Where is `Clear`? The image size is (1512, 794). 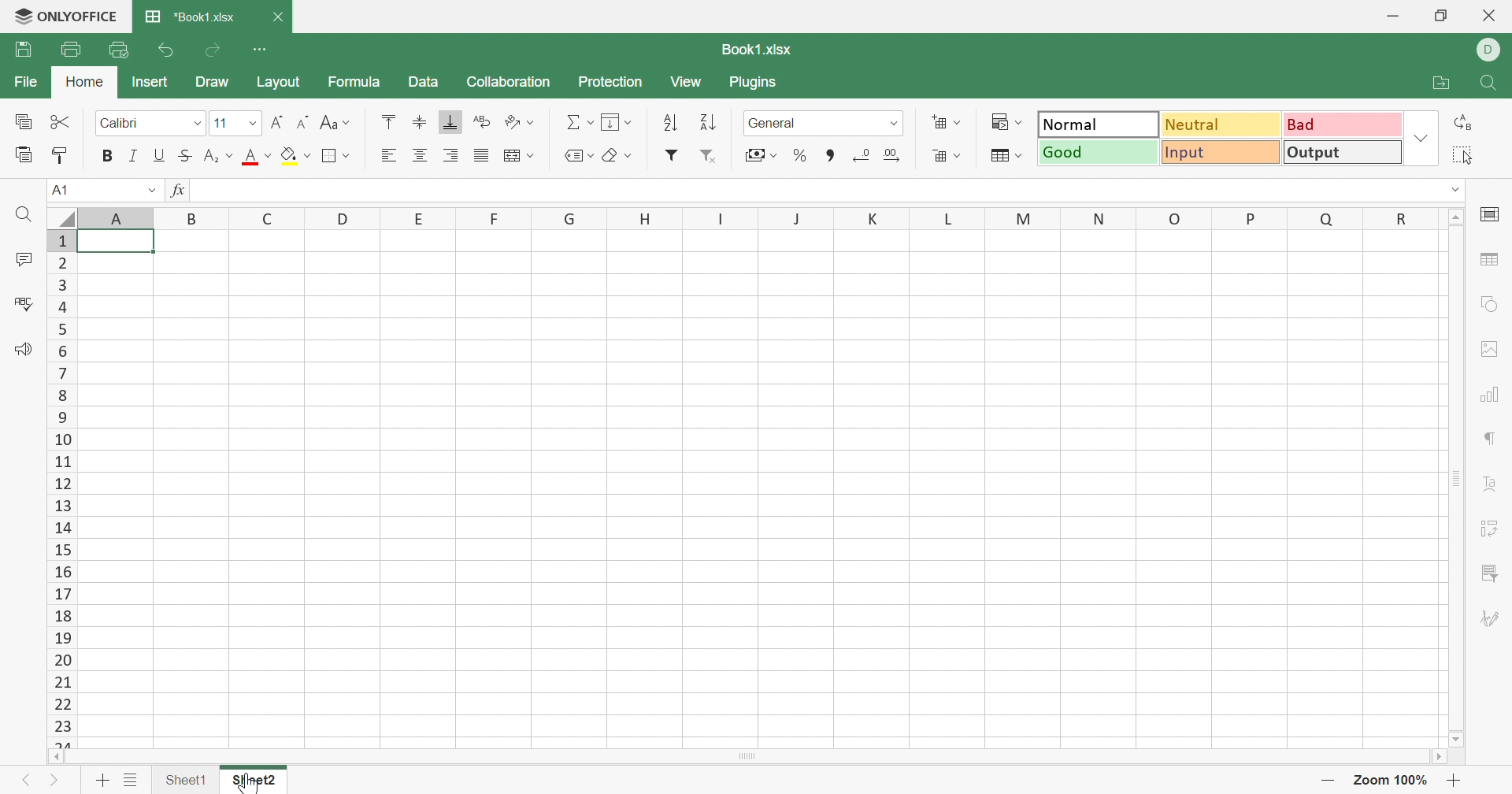
Clear is located at coordinates (612, 157).